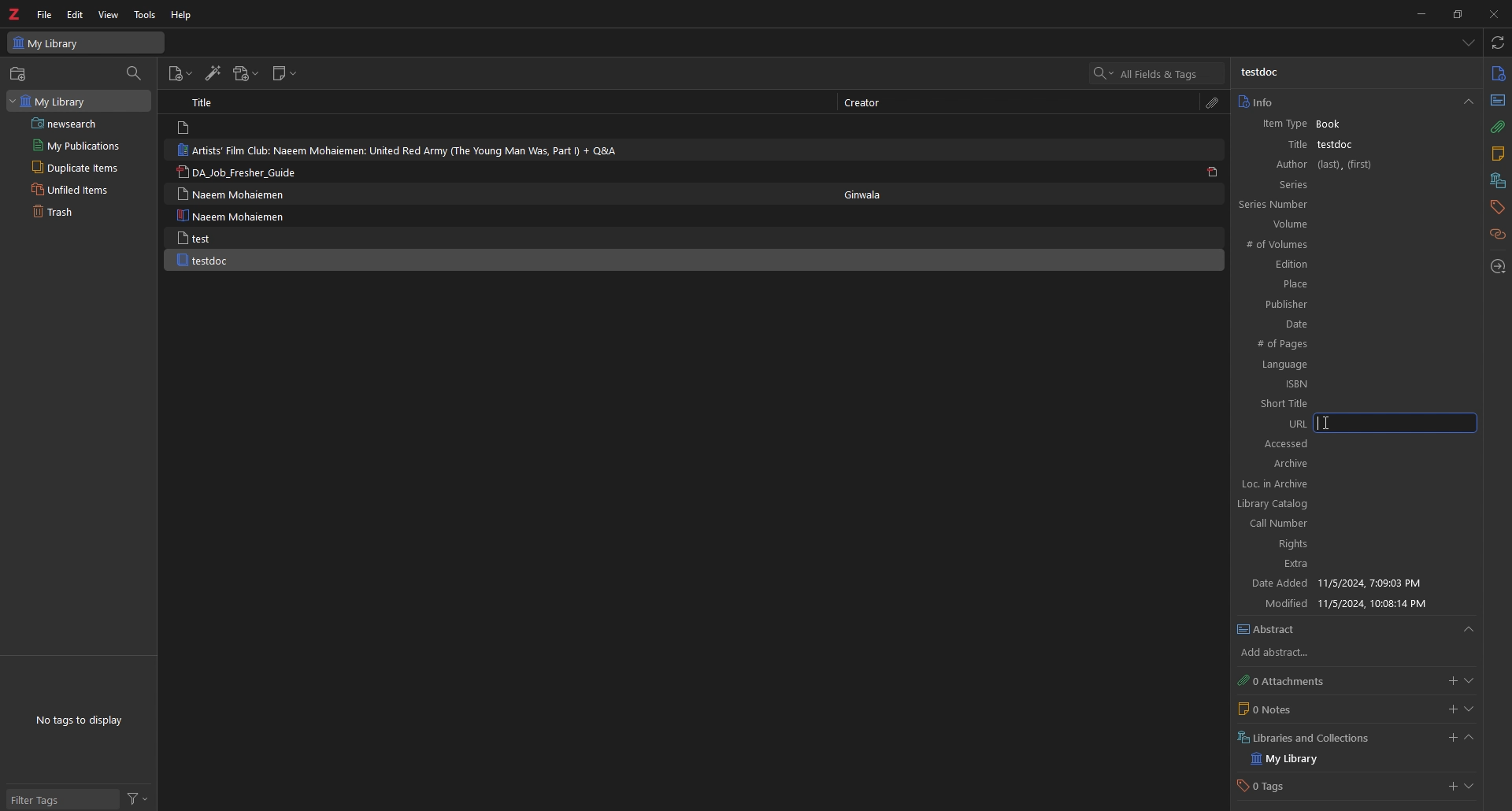 This screenshot has width=1512, height=811. What do you see at coordinates (1340, 146) in the screenshot?
I see `testdoc` at bounding box center [1340, 146].